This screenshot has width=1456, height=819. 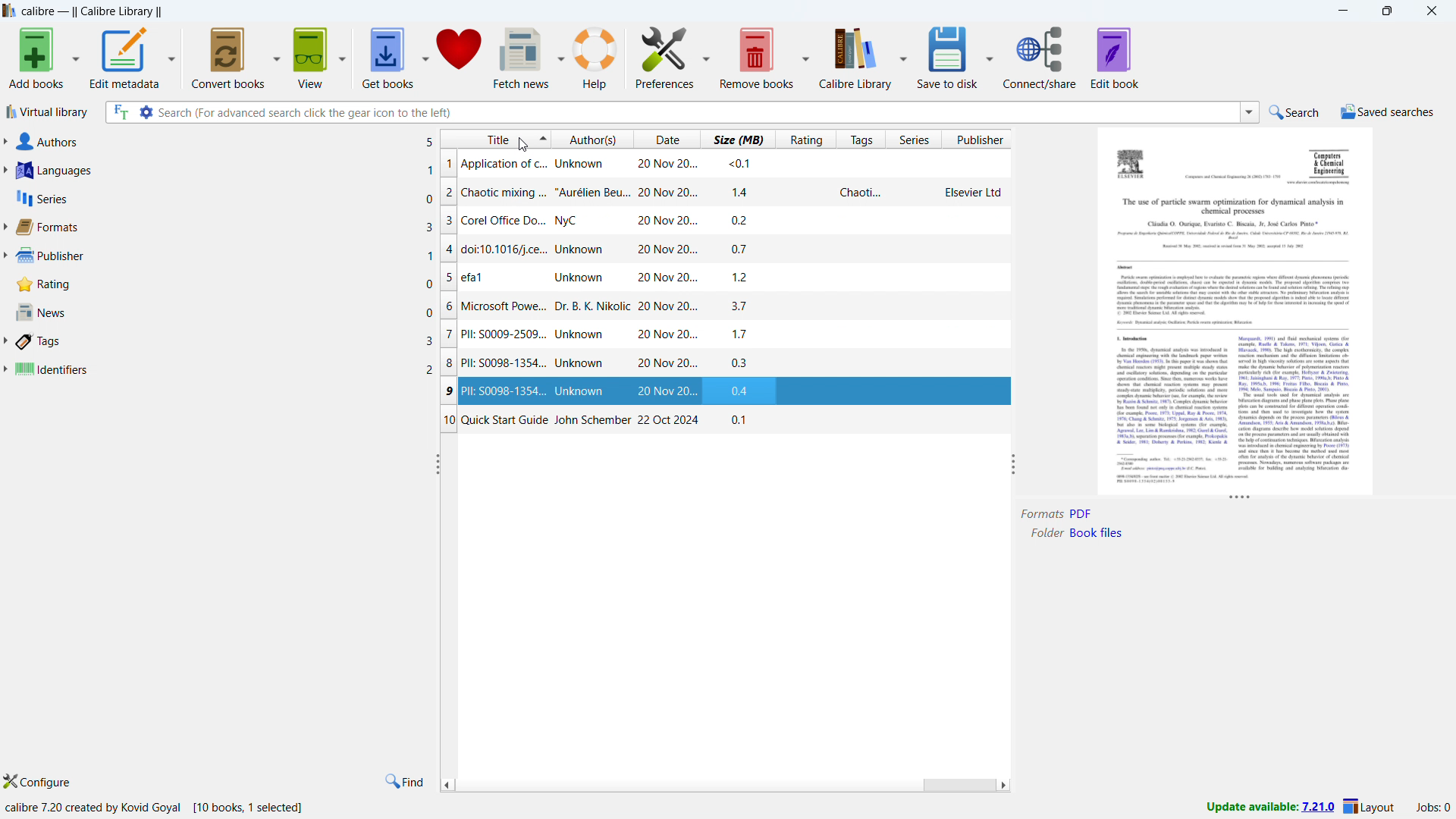 I want to click on languages, so click(x=224, y=170).